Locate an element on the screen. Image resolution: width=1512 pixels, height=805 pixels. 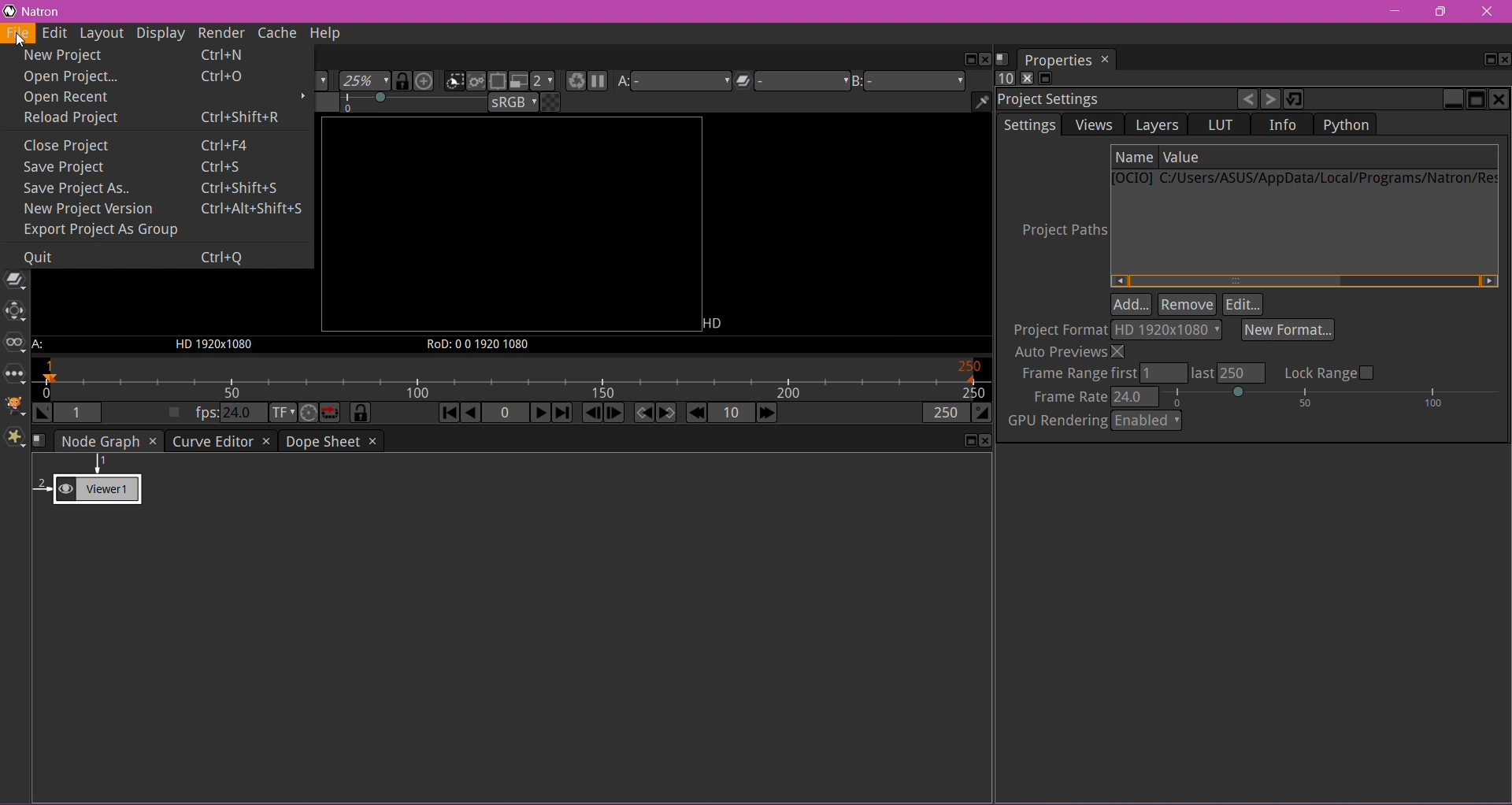
Edit is located at coordinates (1243, 304).